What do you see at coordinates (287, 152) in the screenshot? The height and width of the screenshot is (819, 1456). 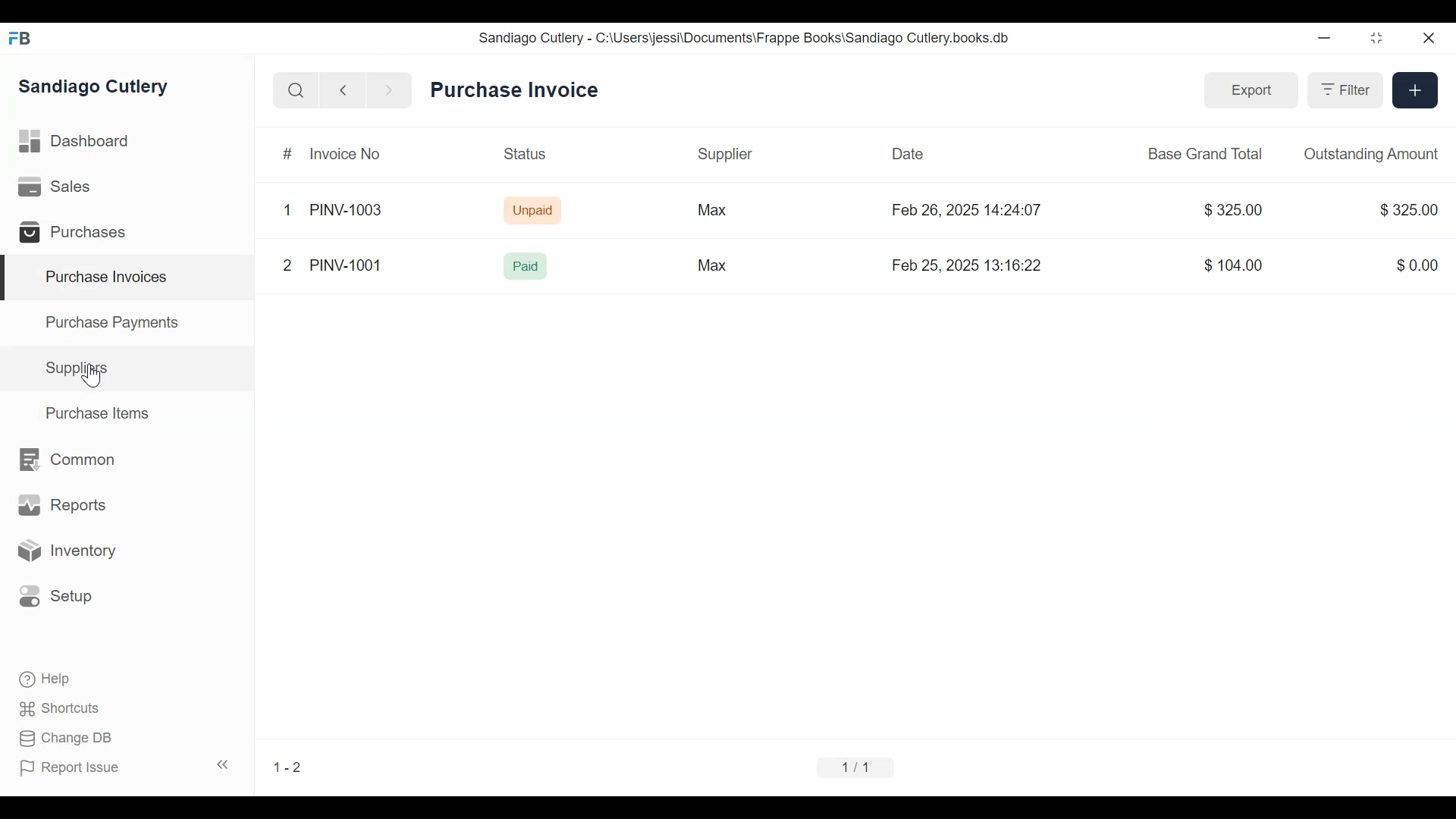 I see `#` at bounding box center [287, 152].